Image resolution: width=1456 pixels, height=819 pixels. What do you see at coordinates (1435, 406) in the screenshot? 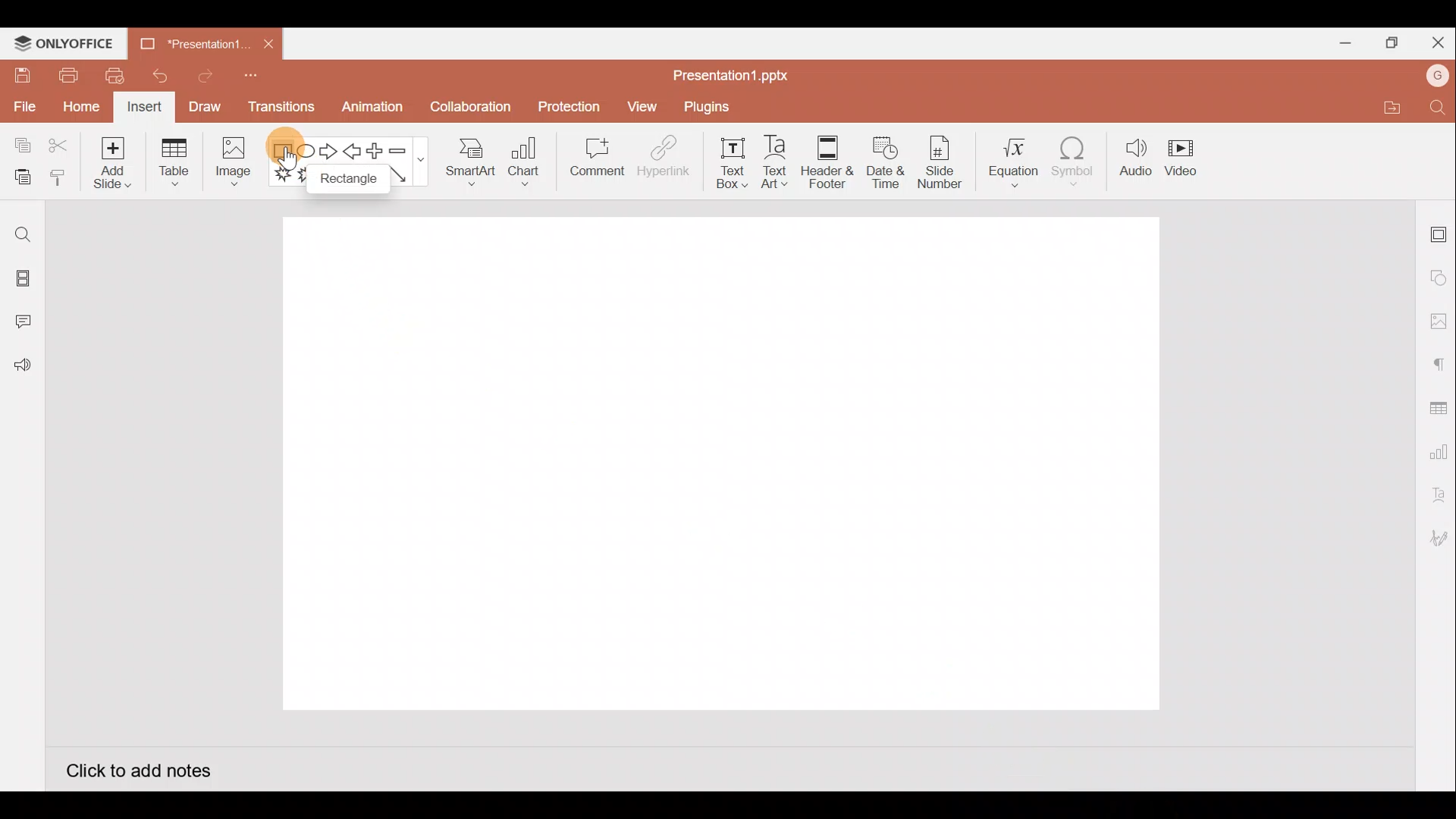
I see `Table settings` at bounding box center [1435, 406].